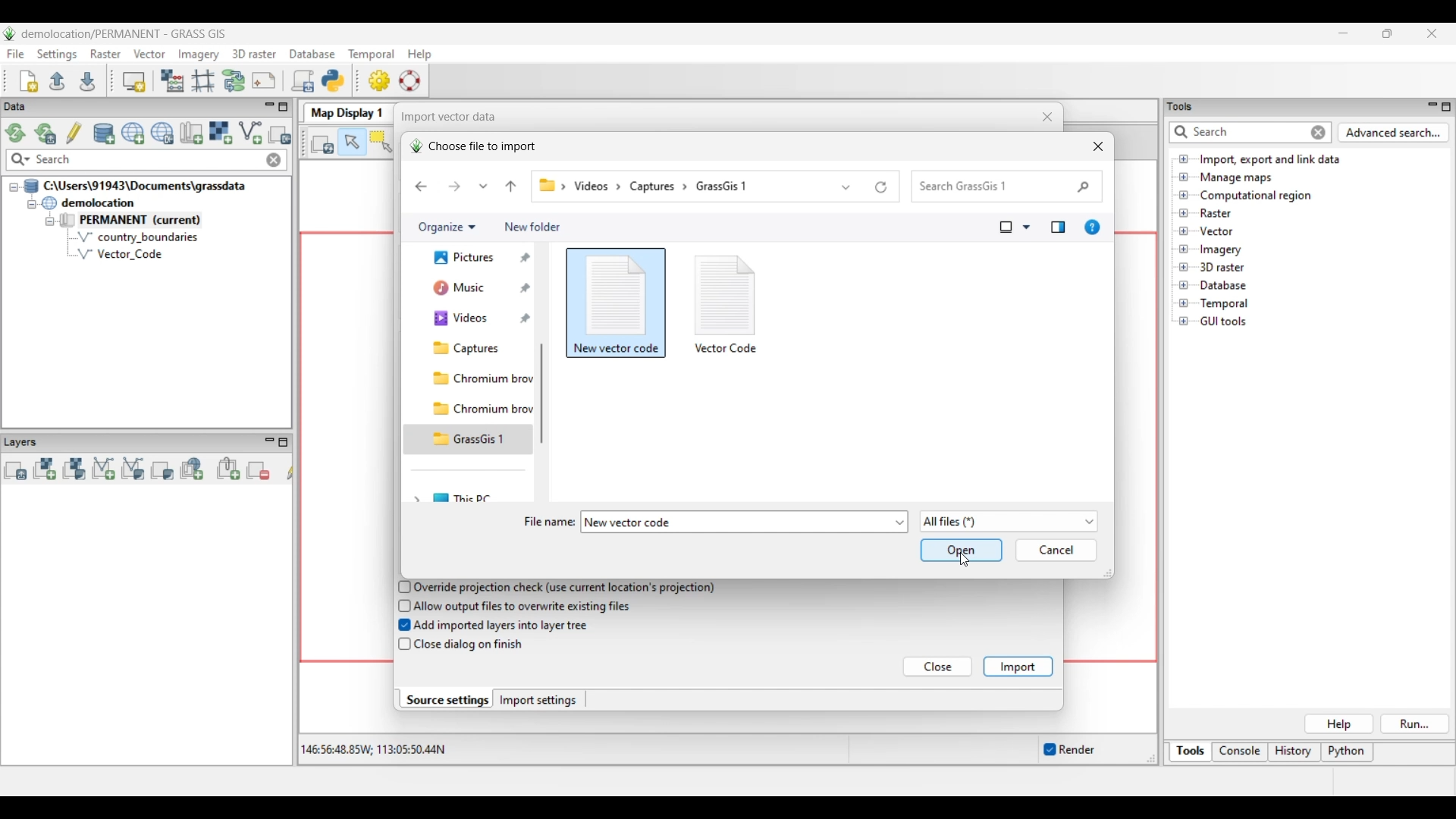 The height and width of the screenshot is (819, 1456). What do you see at coordinates (939, 667) in the screenshot?
I see `Close` at bounding box center [939, 667].